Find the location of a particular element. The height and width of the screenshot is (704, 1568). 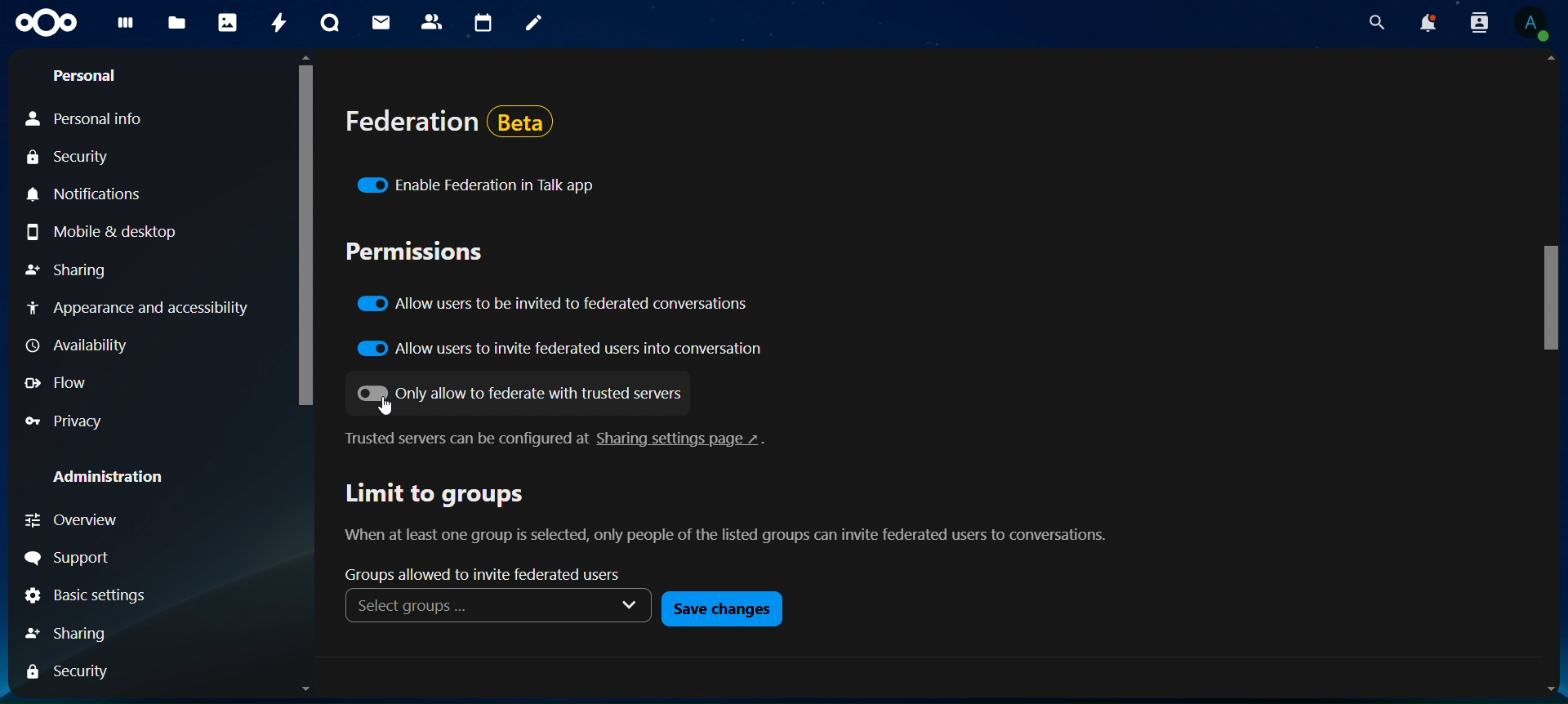

appearance and accessibility  is located at coordinates (135, 305).